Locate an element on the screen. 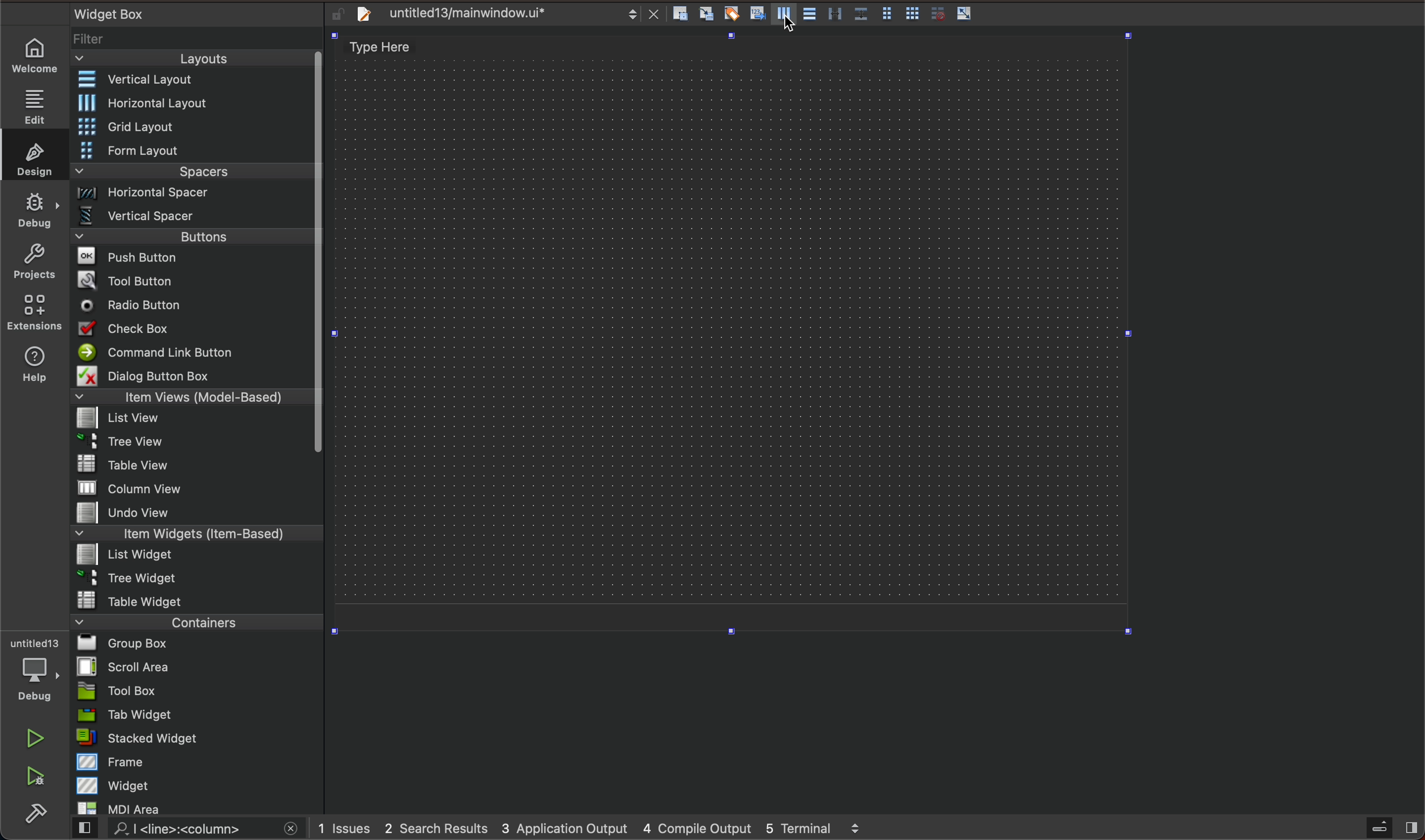  tree view is located at coordinates (194, 443).